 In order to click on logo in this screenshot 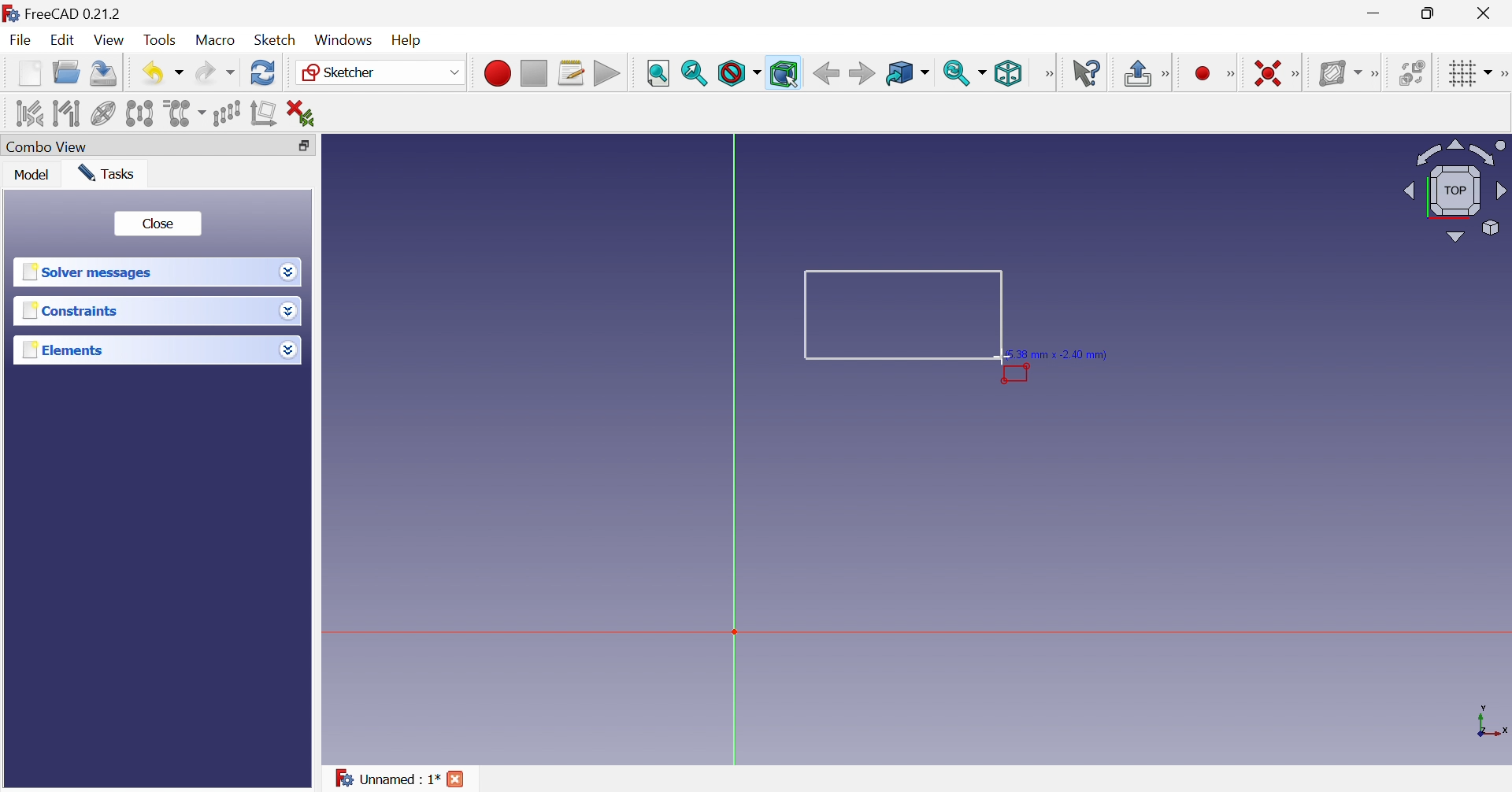, I will do `click(10, 13)`.